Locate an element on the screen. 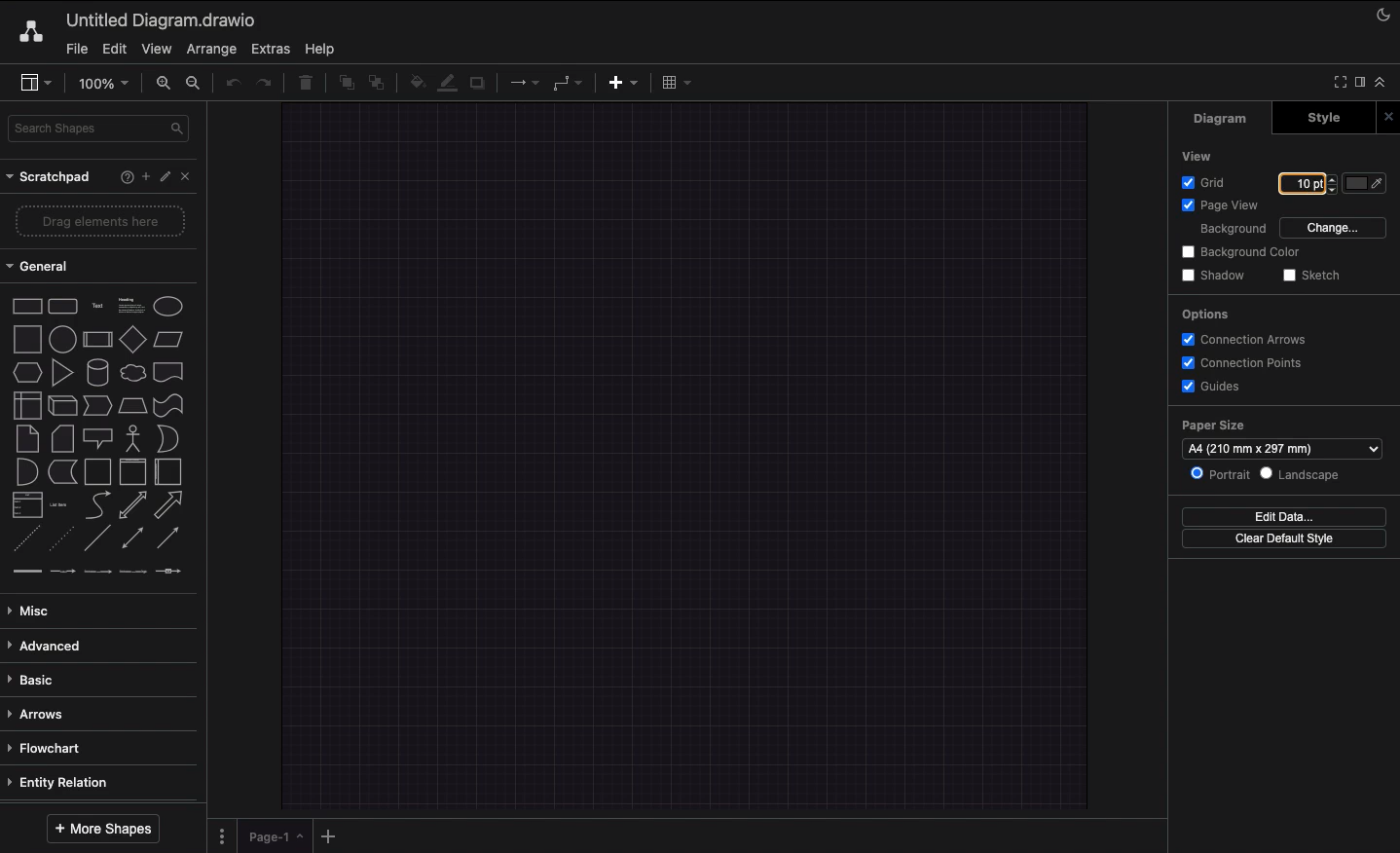 This screenshot has height=853, width=1400. Fill color is located at coordinates (414, 81).